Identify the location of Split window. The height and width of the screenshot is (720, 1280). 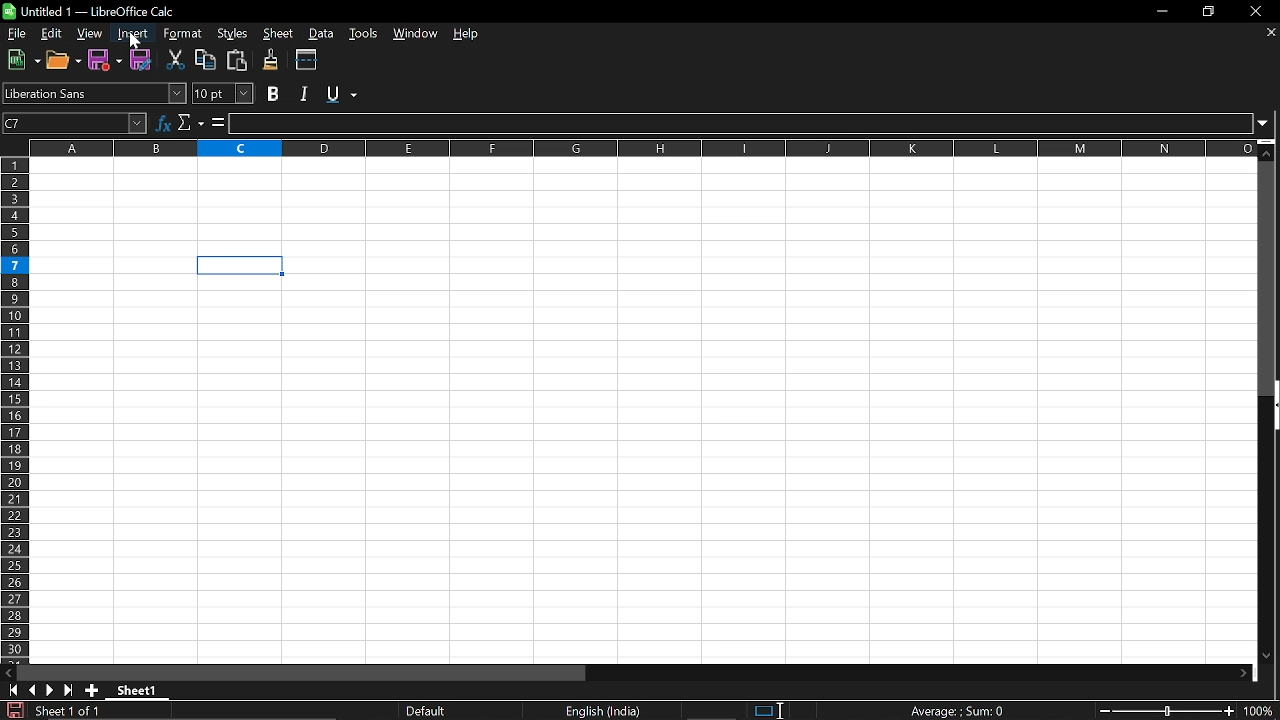
(307, 59).